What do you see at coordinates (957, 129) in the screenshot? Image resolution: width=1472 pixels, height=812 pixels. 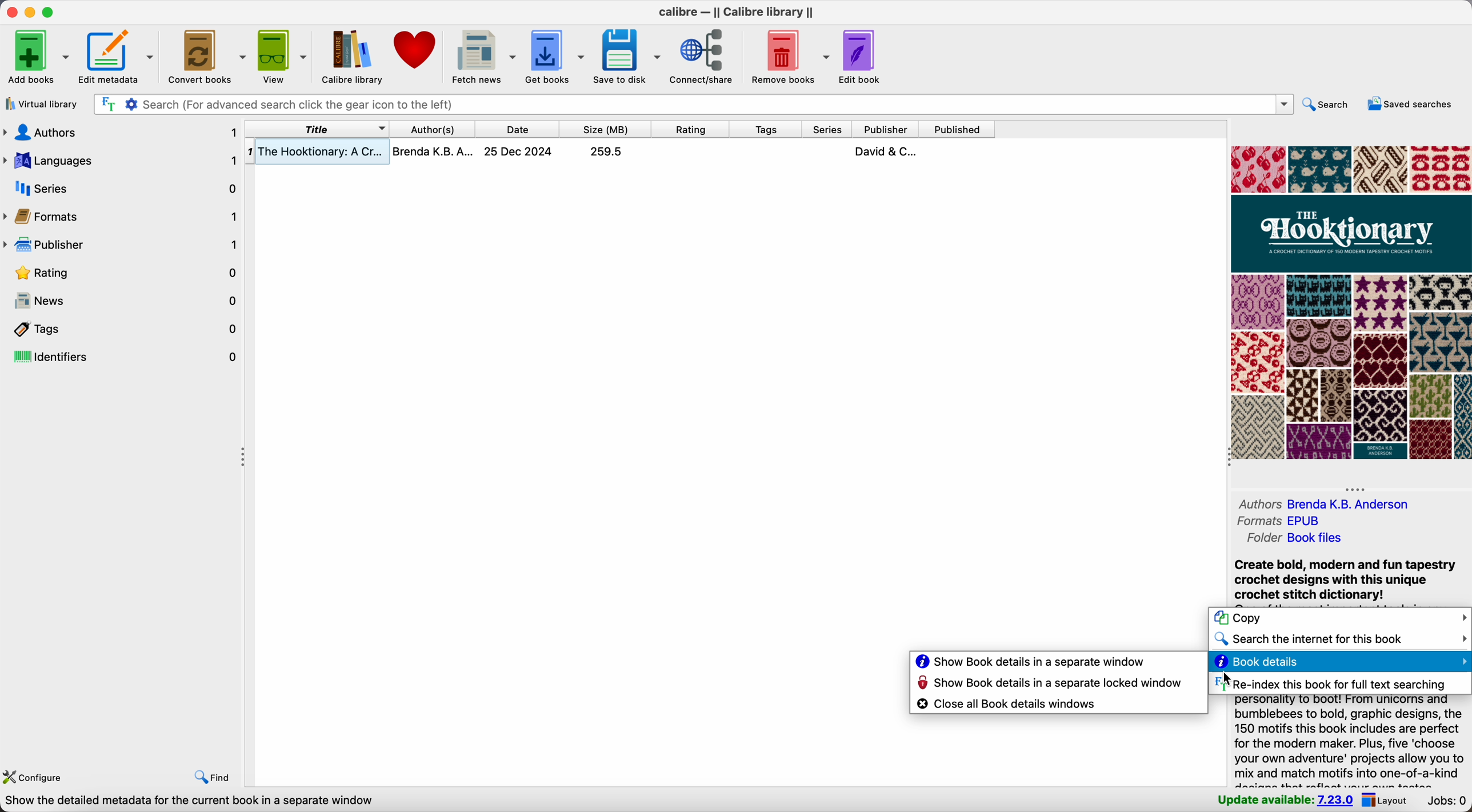 I see `published` at bounding box center [957, 129].